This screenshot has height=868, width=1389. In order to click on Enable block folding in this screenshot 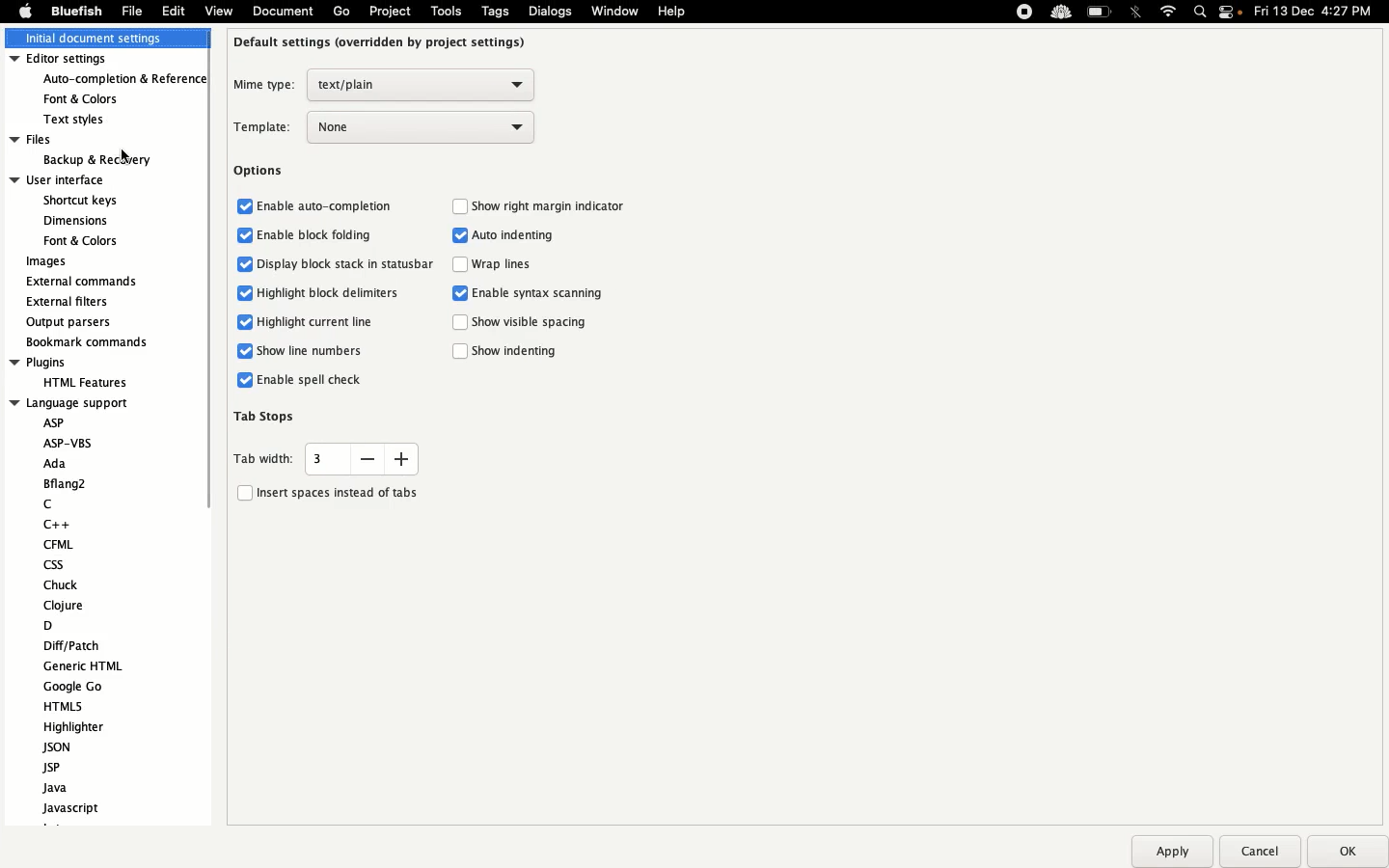, I will do `click(308, 235)`.